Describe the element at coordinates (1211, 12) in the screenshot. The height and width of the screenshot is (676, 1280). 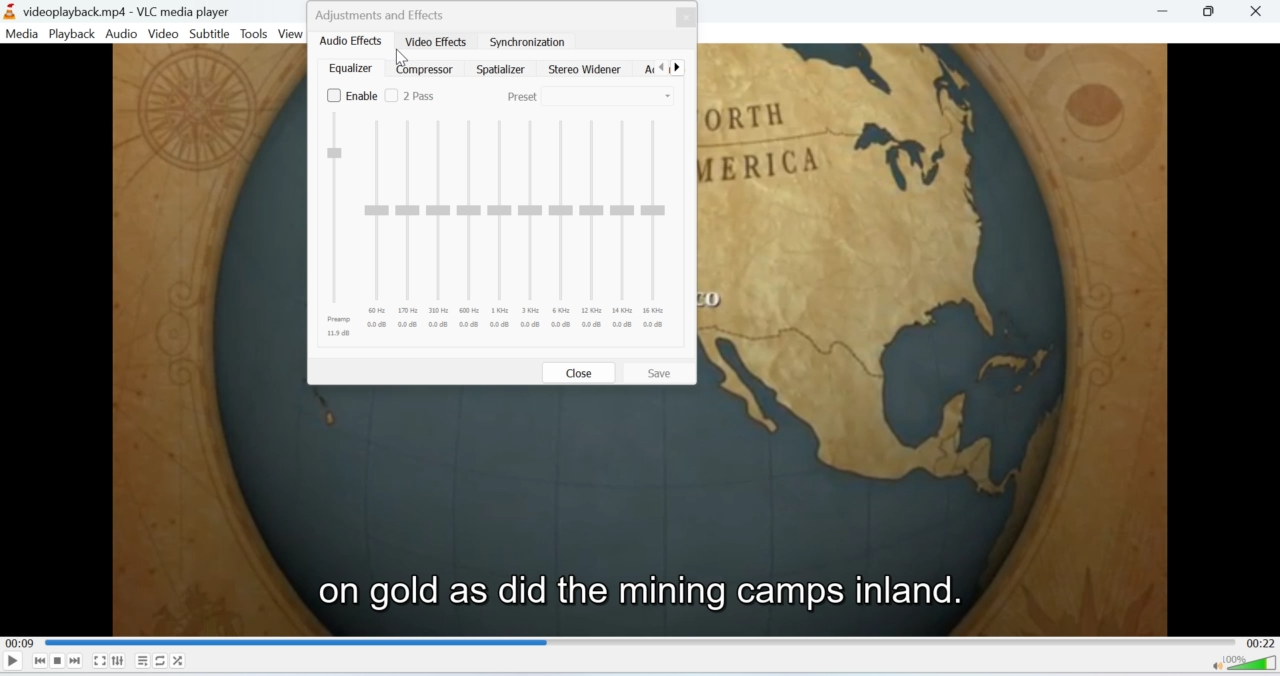
I see `Minimise` at that location.